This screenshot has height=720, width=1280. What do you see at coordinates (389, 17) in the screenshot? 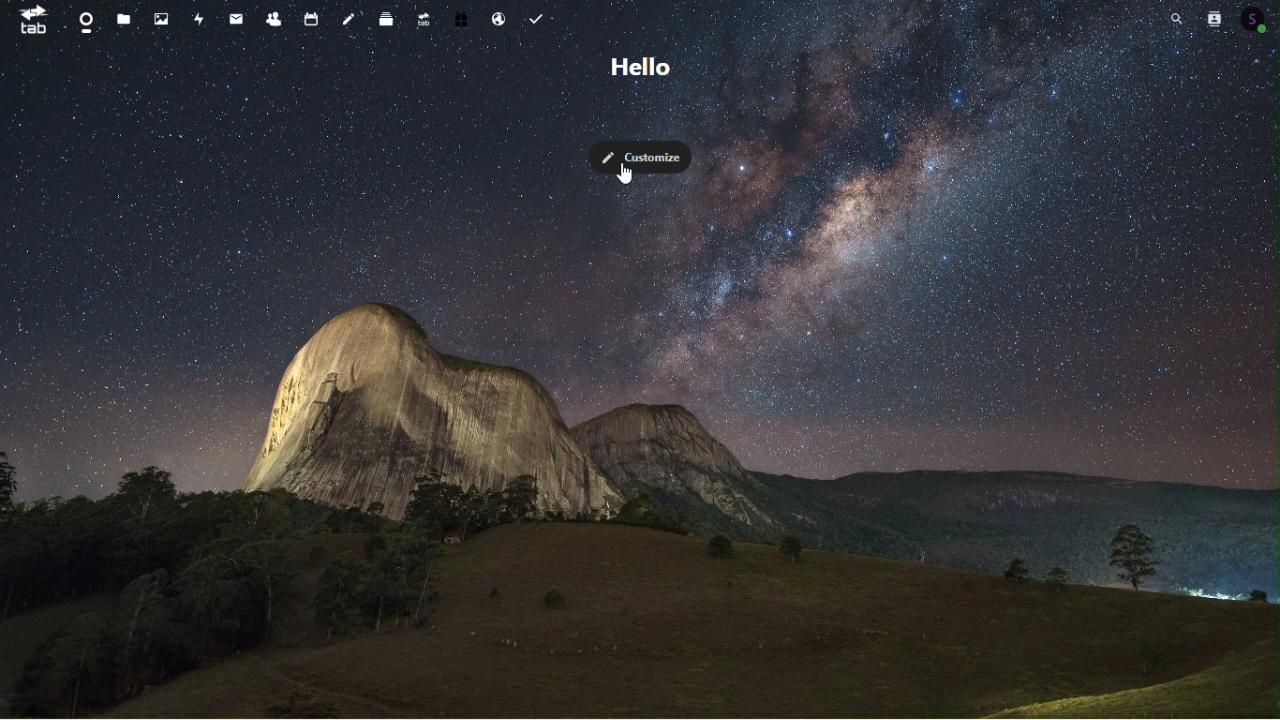
I see `Deck` at bounding box center [389, 17].